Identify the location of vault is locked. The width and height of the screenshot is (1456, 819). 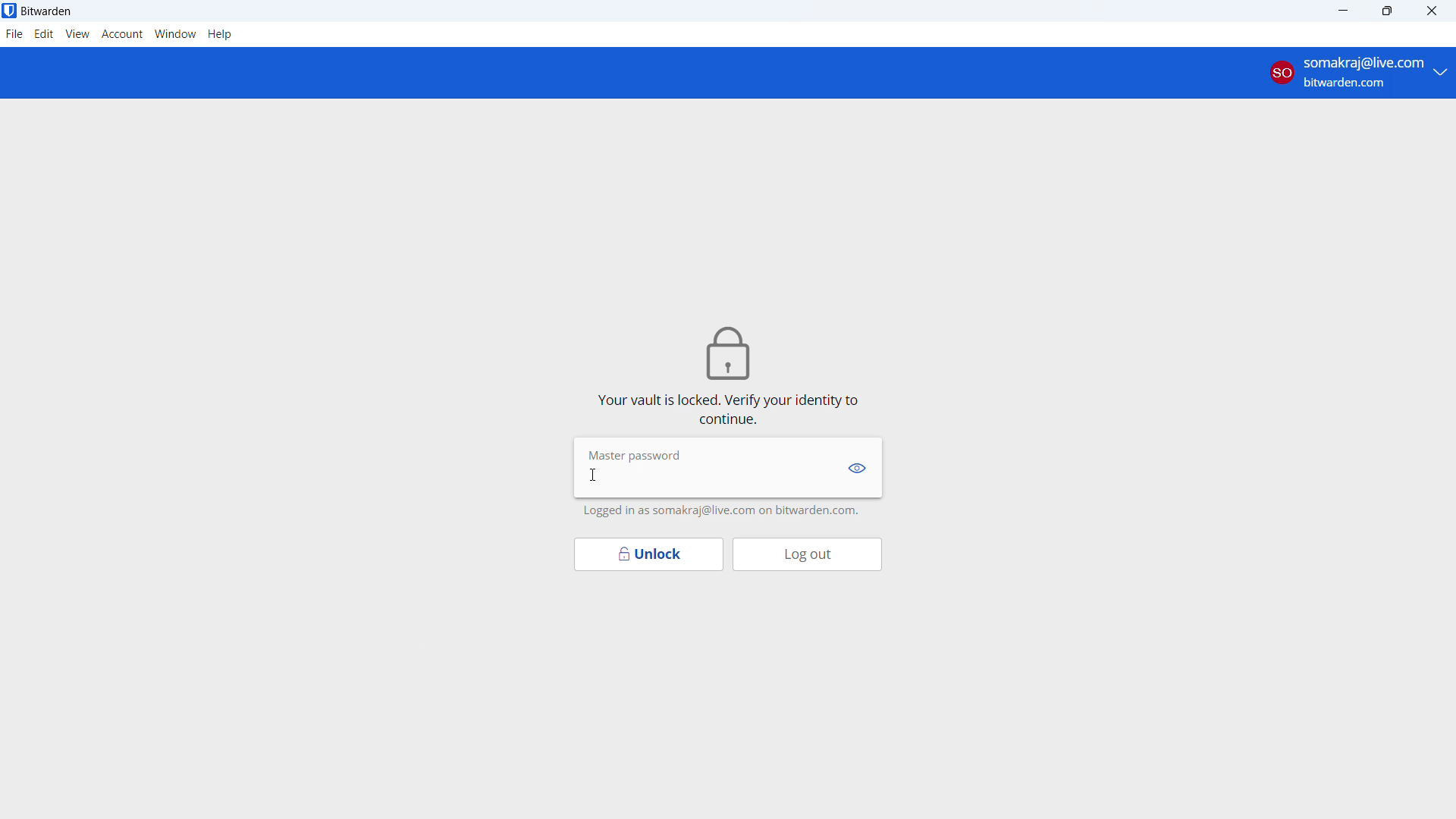
(728, 409).